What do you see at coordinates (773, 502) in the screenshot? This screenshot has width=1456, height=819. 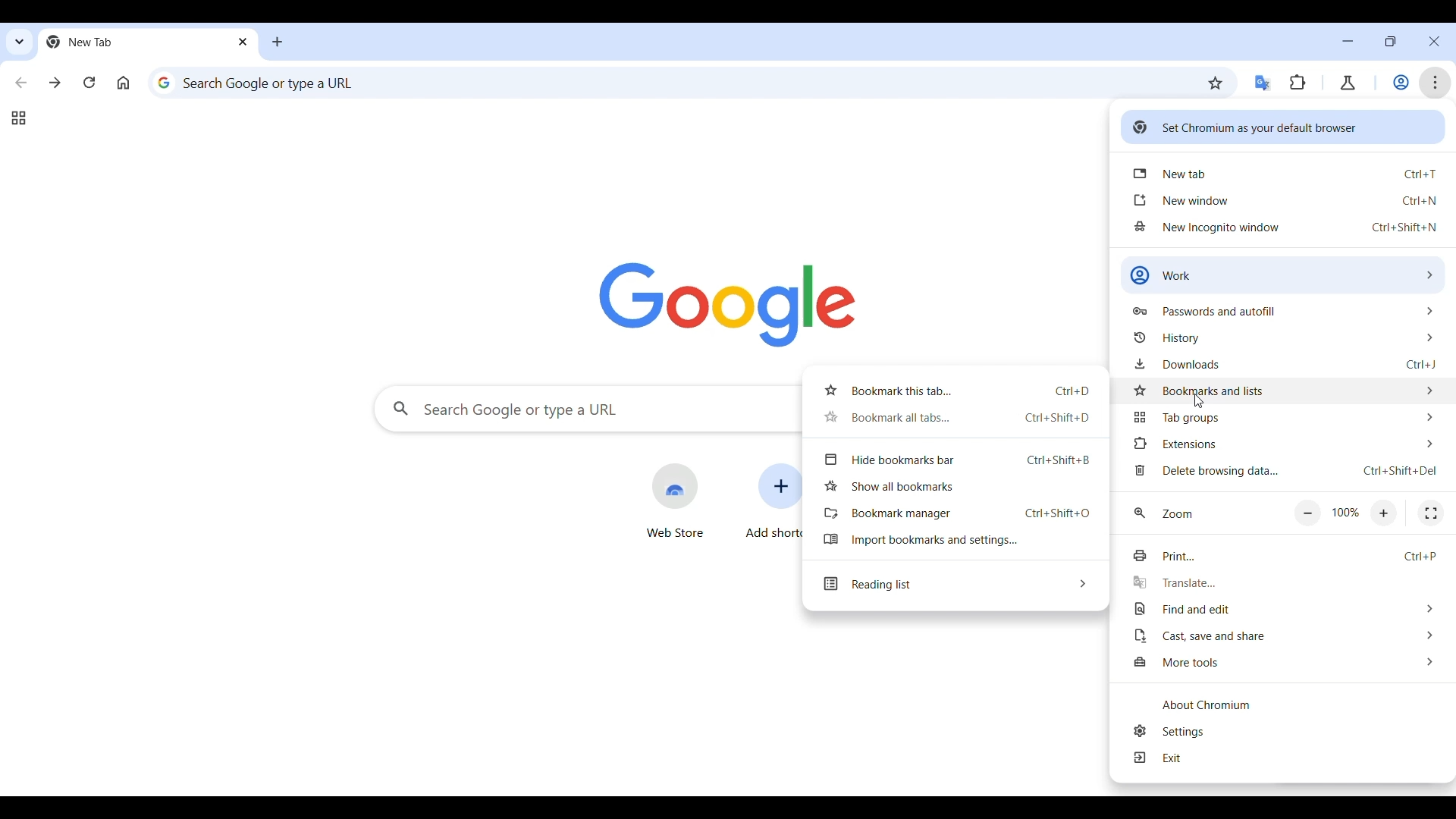 I see `Add shortcut` at bounding box center [773, 502].